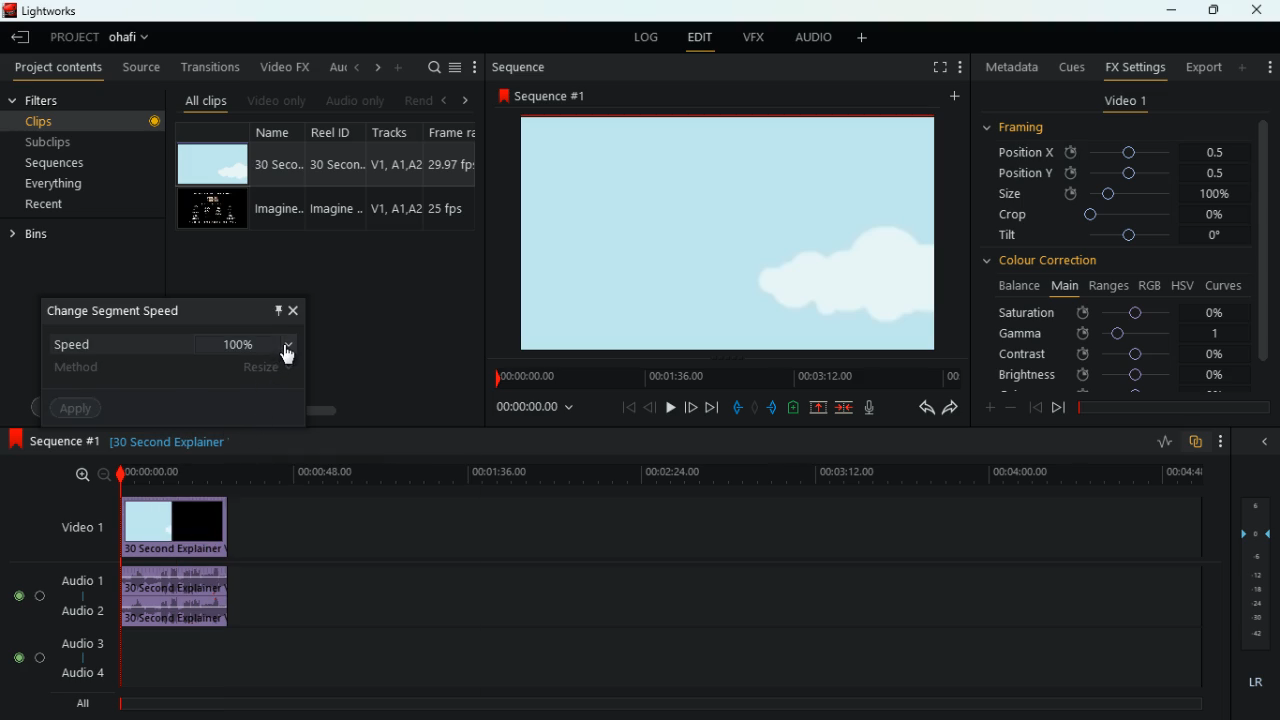 Image resolution: width=1280 pixels, height=720 pixels. What do you see at coordinates (866, 408) in the screenshot?
I see `mic` at bounding box center [866, 408].